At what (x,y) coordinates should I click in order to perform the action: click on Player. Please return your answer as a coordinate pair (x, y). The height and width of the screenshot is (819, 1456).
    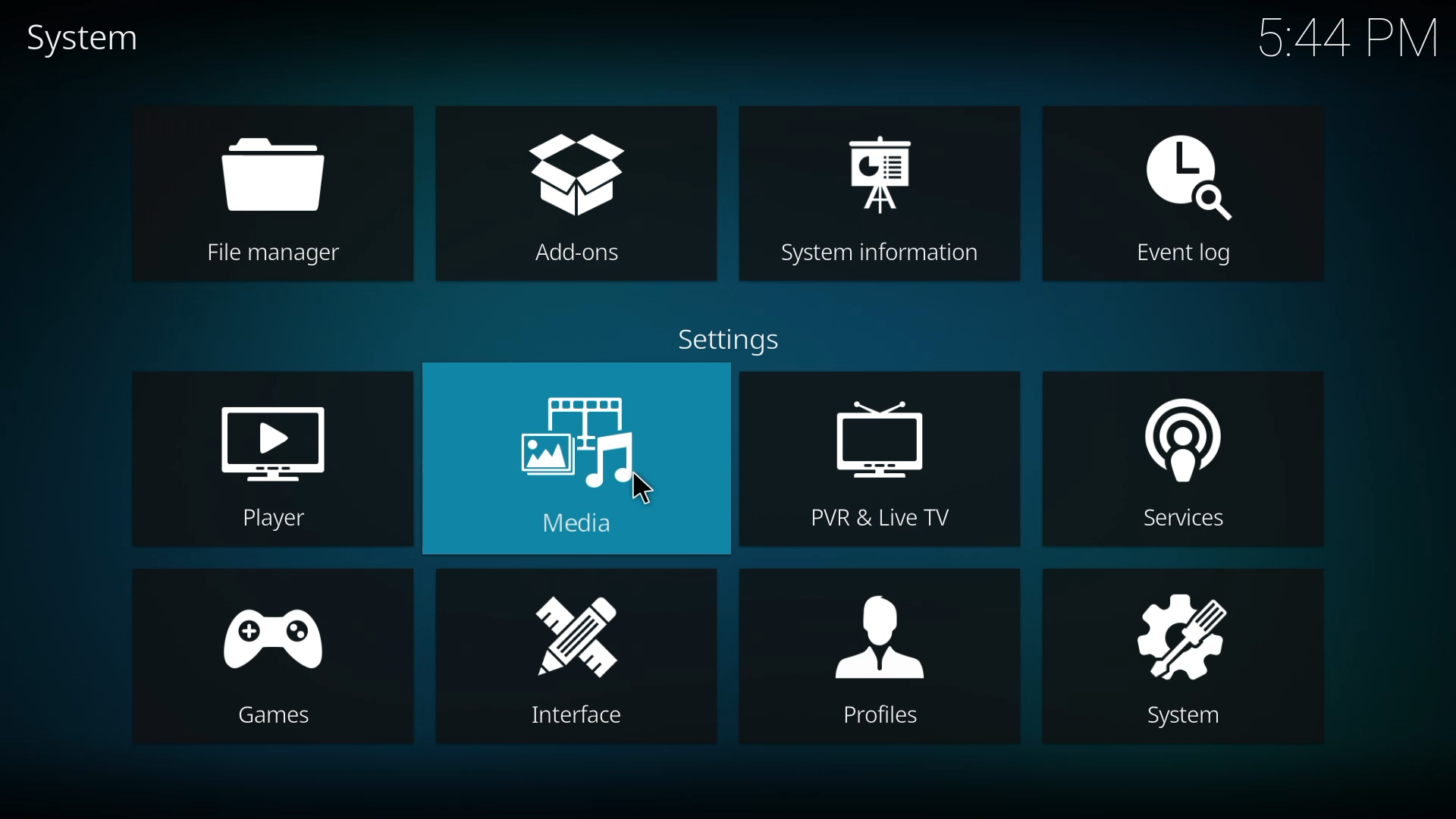
    Looking at the image, I should click on (270, 521).